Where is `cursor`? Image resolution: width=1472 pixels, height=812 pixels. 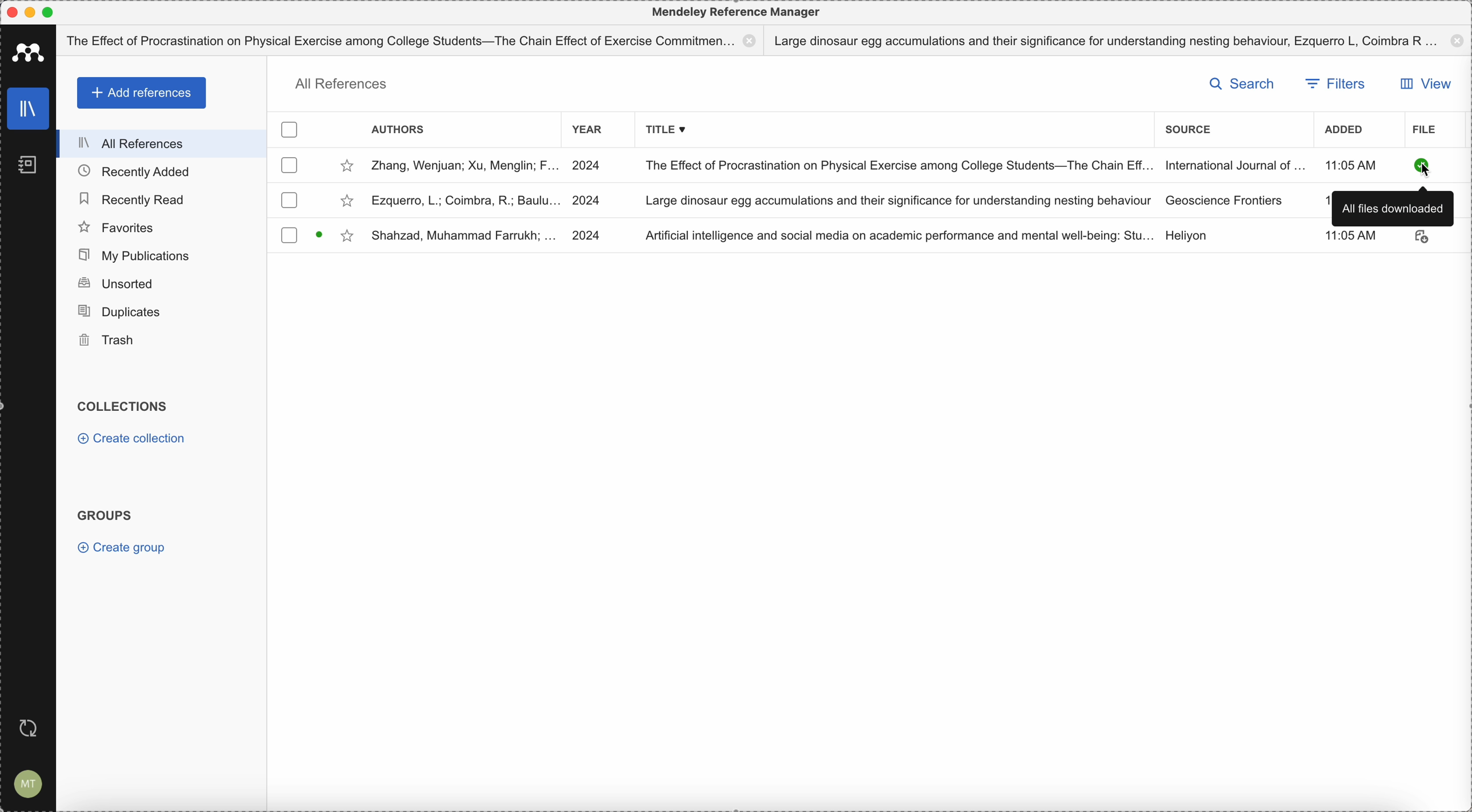
cursor is located at coordinates (1425, 171).